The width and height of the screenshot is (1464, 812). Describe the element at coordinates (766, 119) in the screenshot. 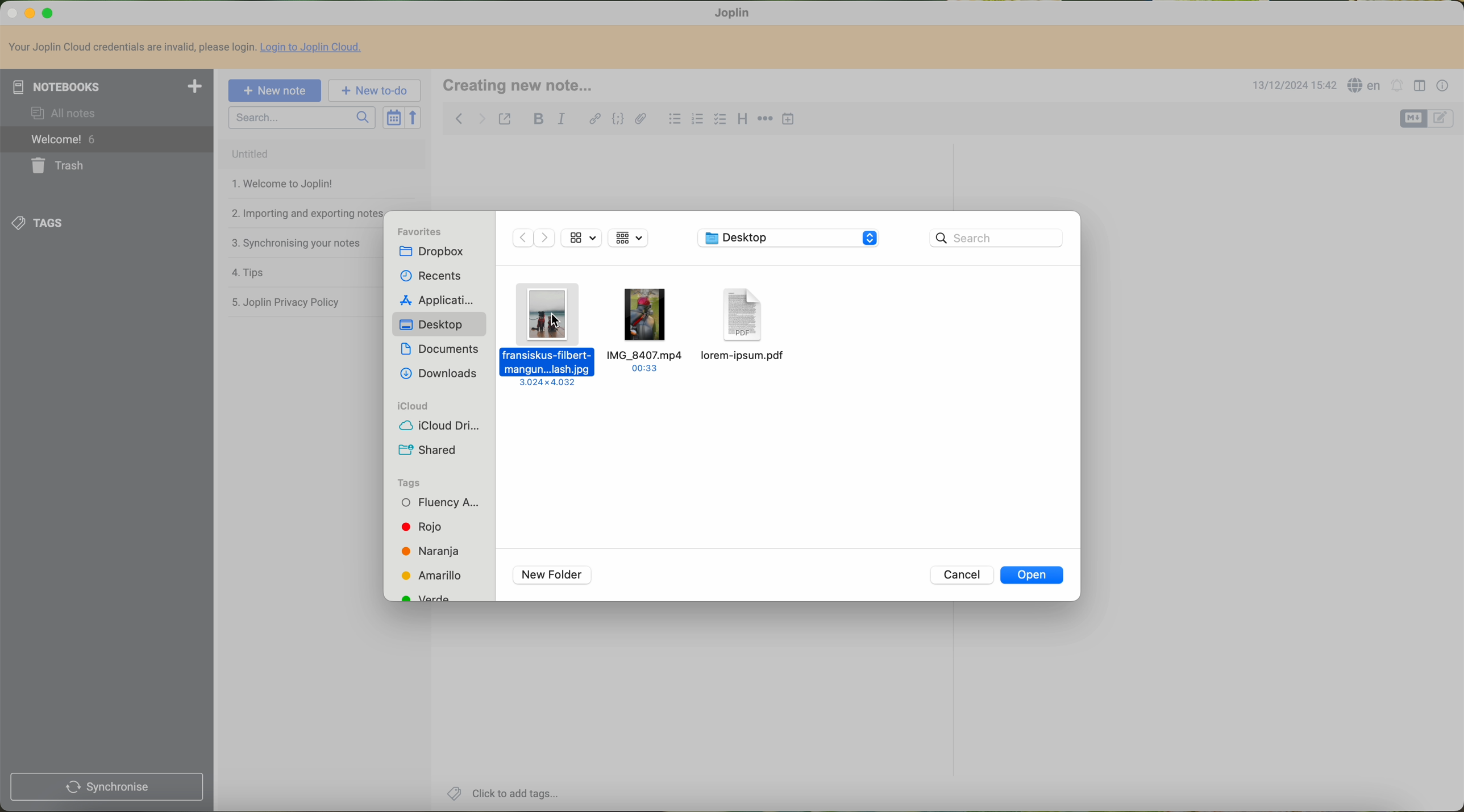

I see `horizontal rule` at that location.